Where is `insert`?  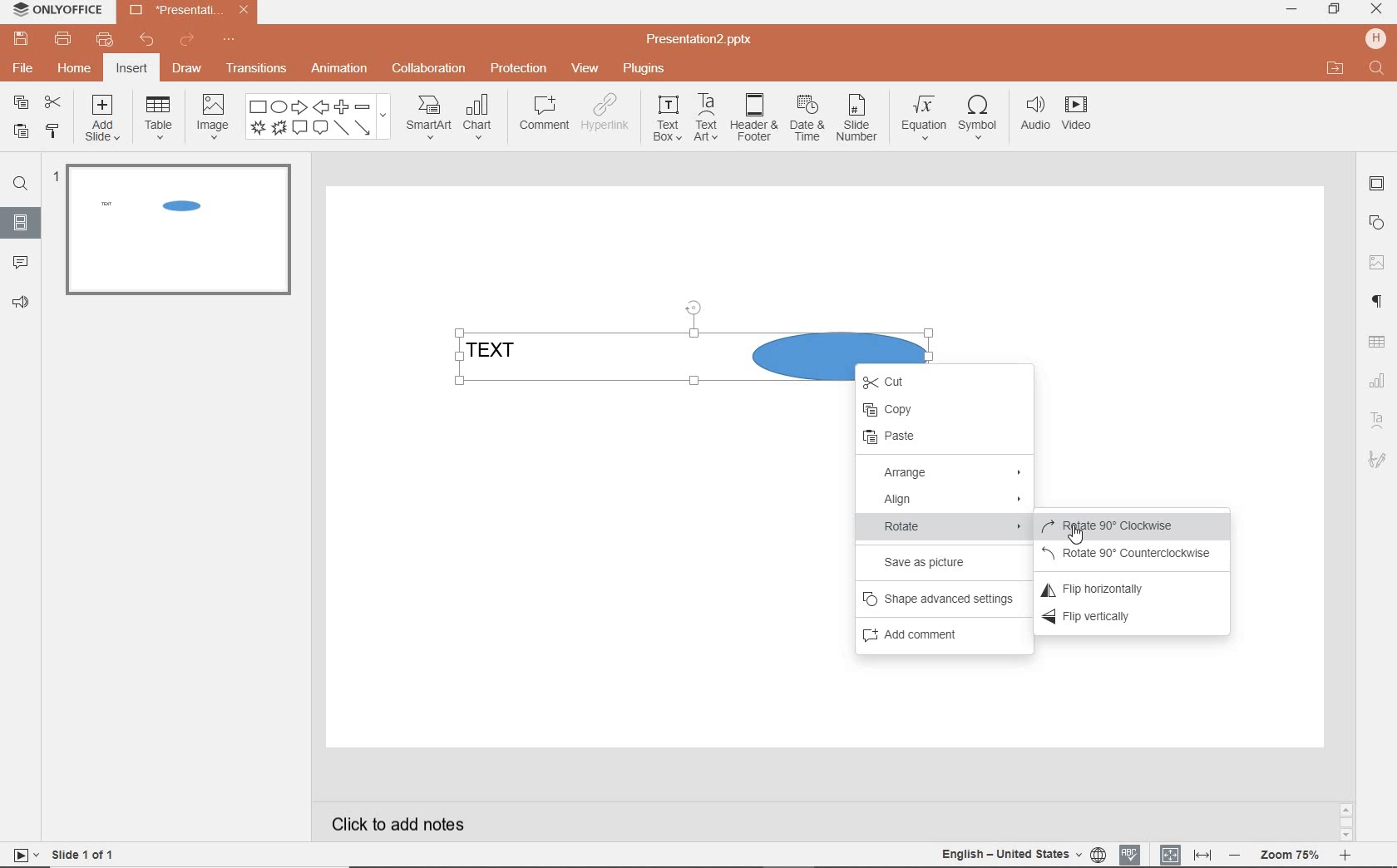
insert is located at coordinates (133, 69).